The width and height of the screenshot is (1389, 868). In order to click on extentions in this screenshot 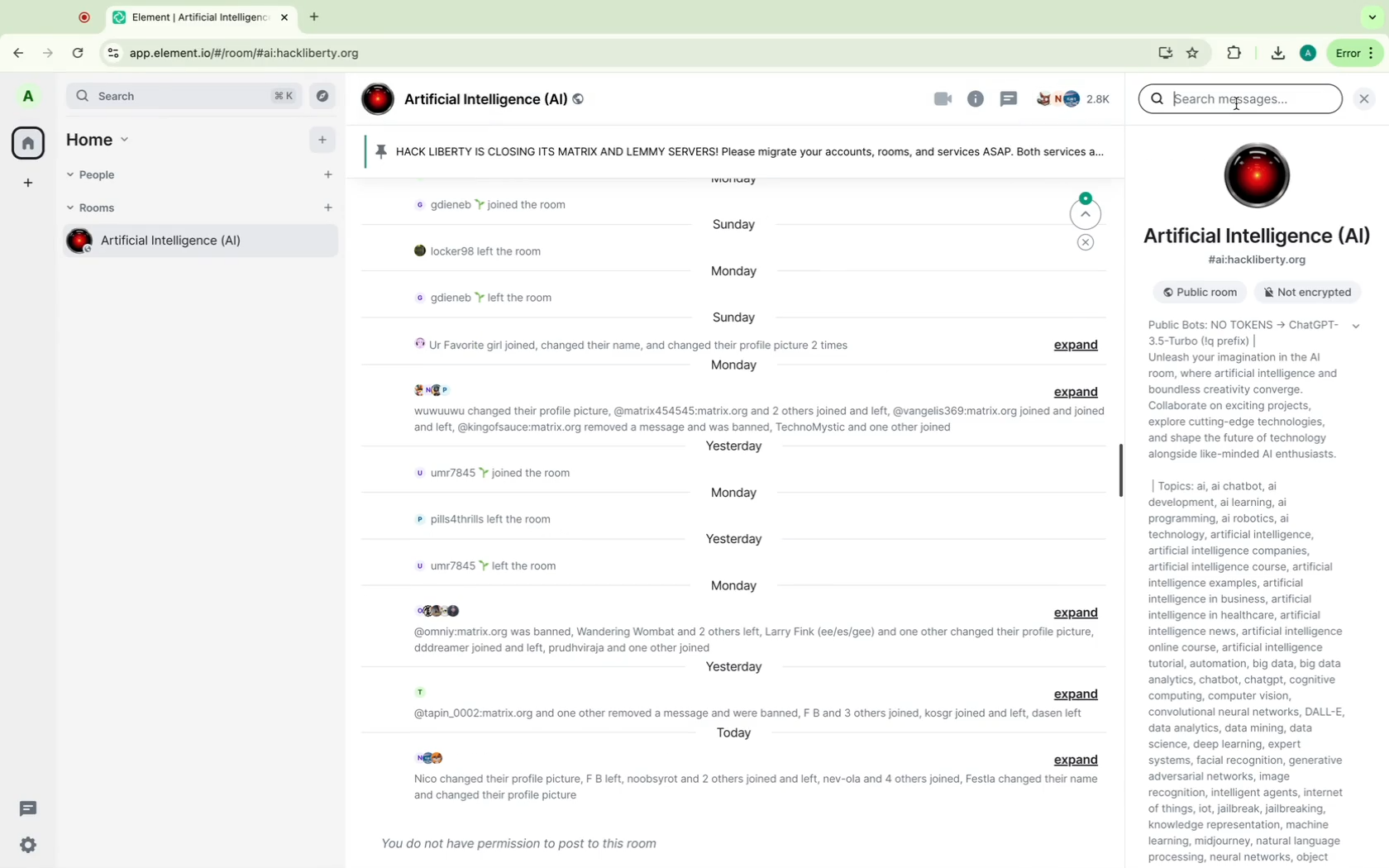, I will do `click(1194, 53)`.